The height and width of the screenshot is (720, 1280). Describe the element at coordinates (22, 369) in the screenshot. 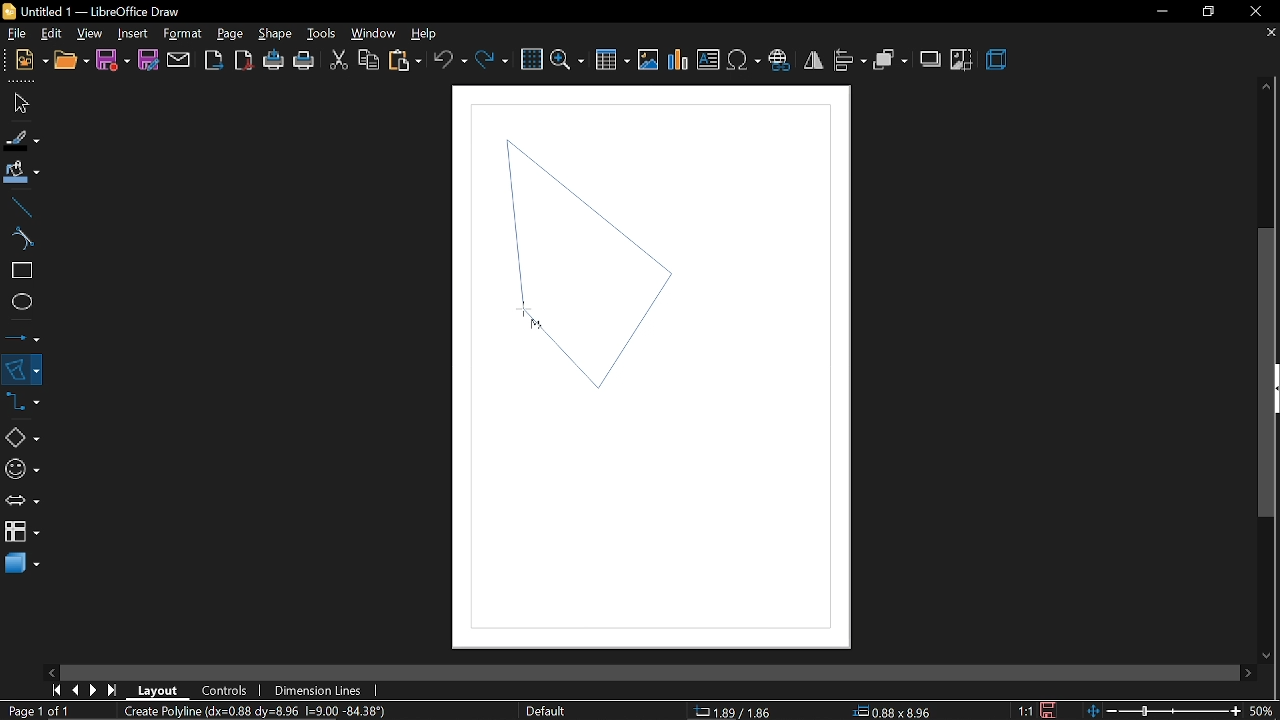

I see `curves and polygons` at that location.